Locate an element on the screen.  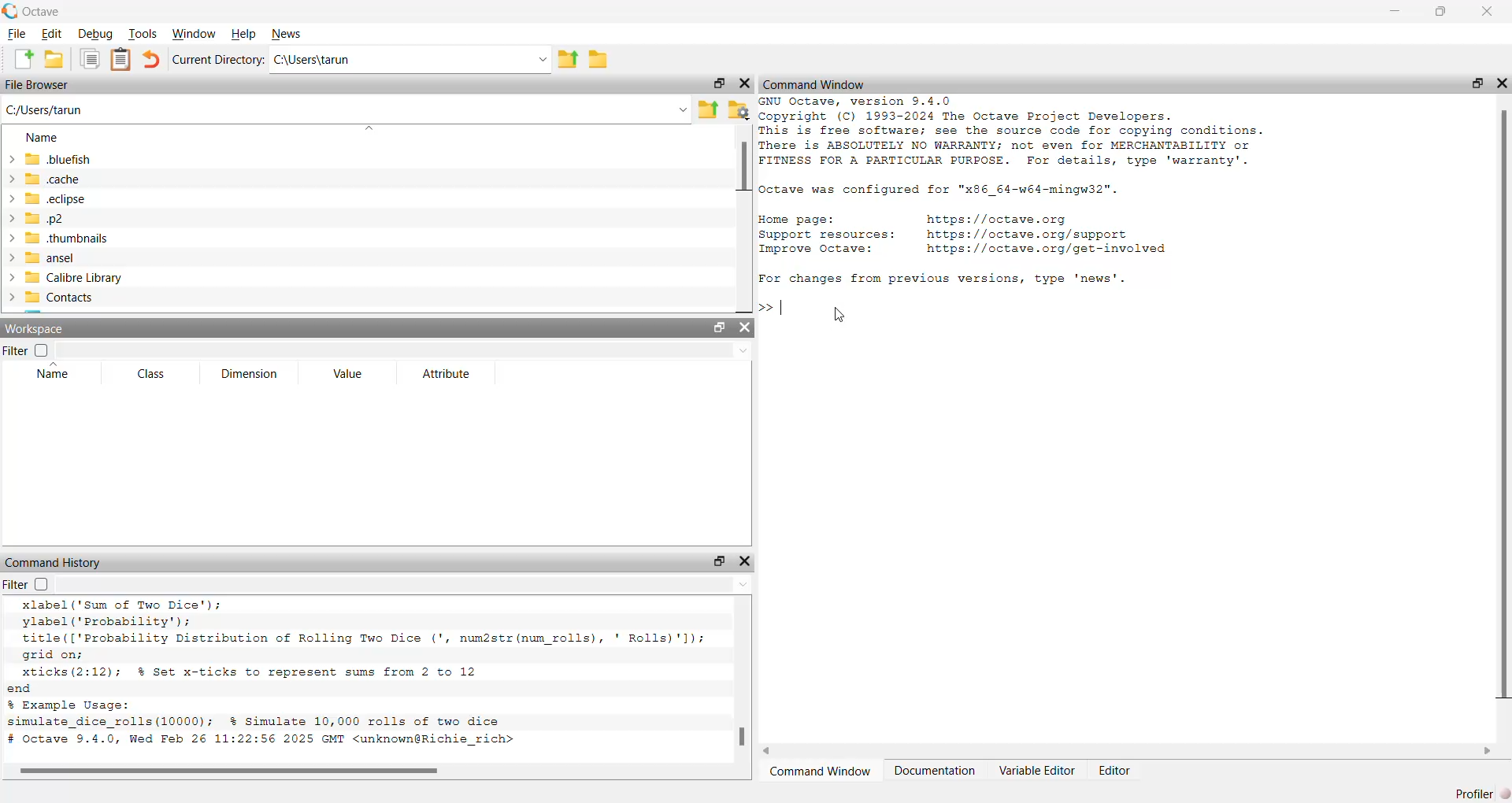
C:/users/tarun is located at coordinates (345, 113).